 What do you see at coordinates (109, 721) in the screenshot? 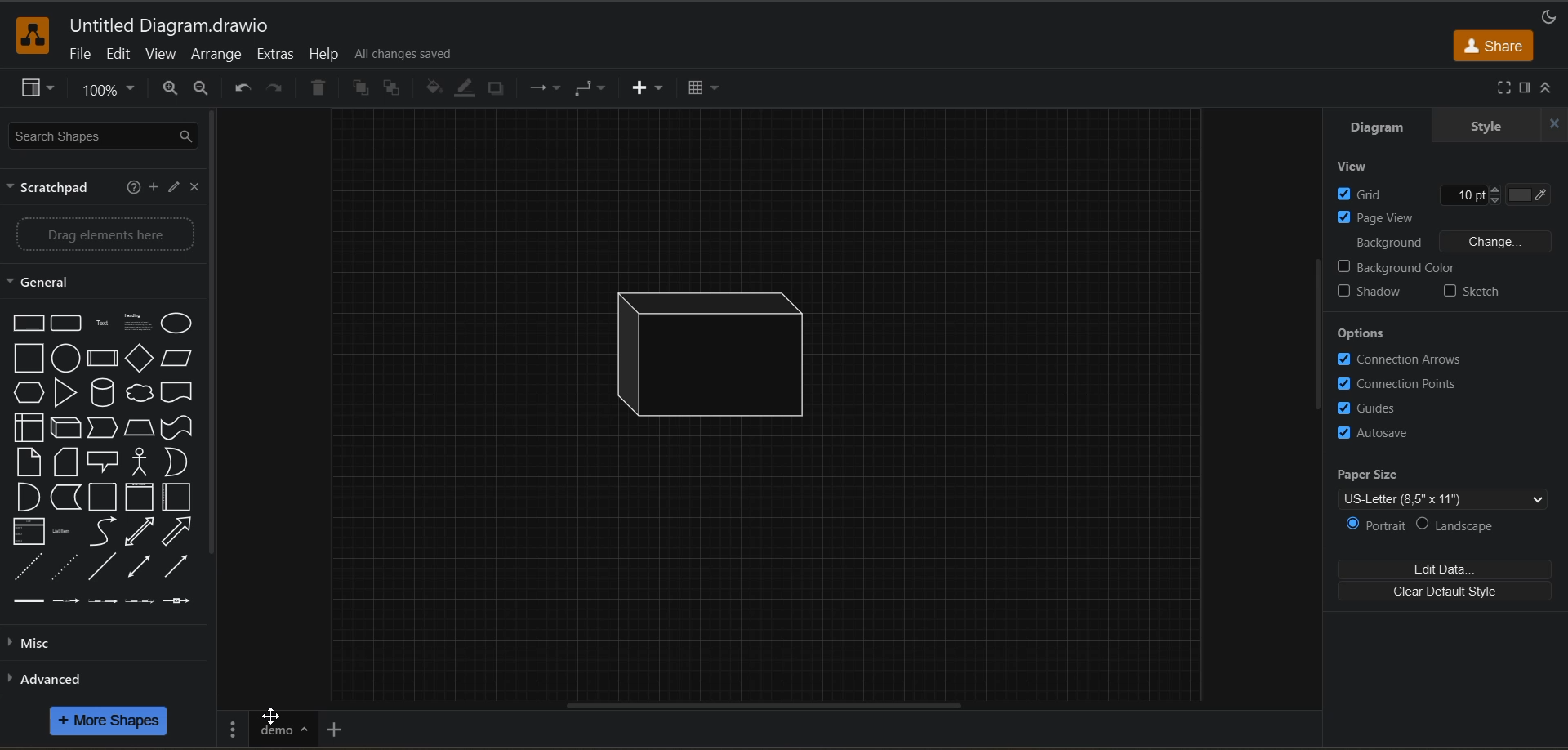
I see `more shapes` at bounding box center [109, 721].